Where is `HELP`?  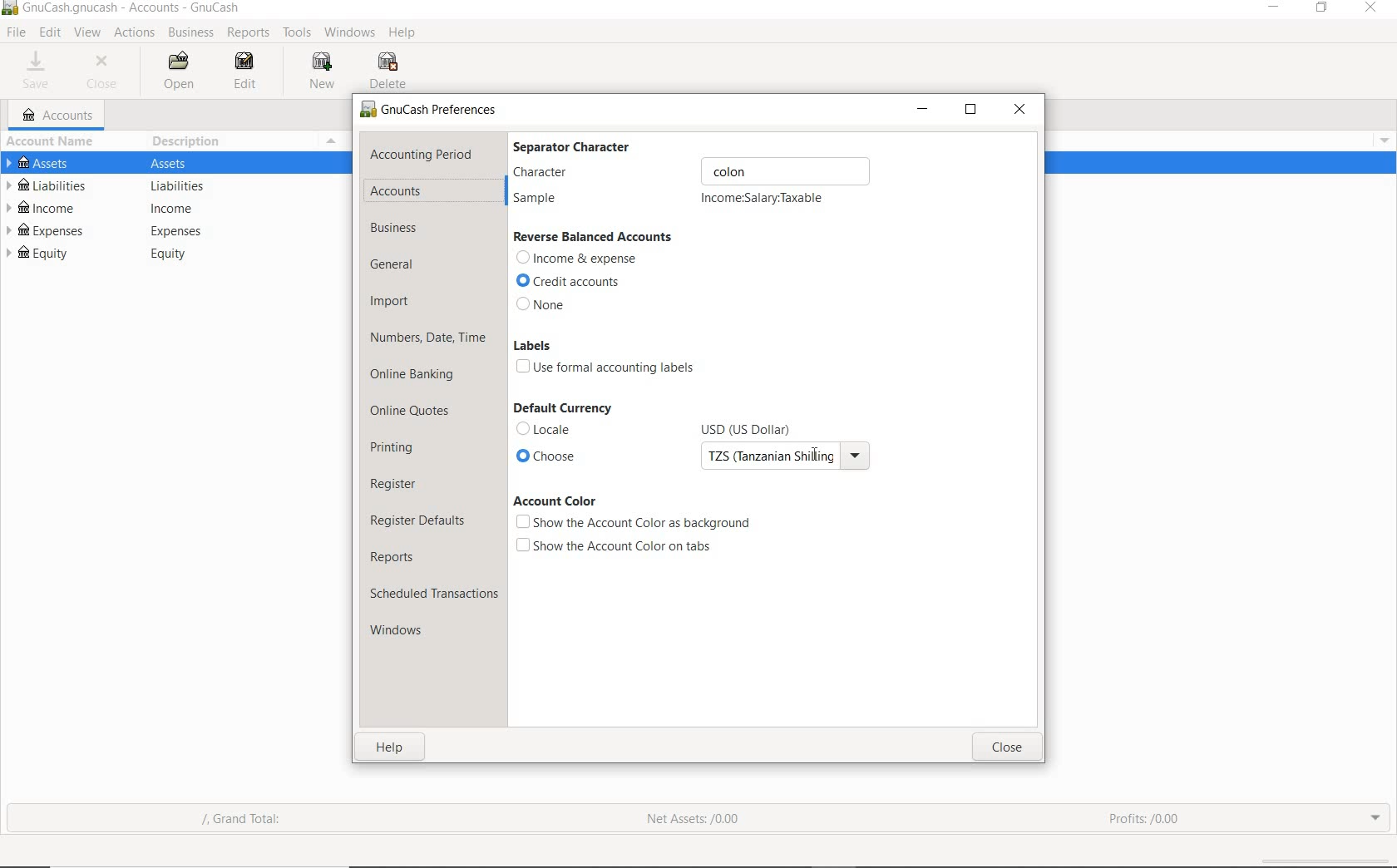 HELP is located at coordinates (405, 33).